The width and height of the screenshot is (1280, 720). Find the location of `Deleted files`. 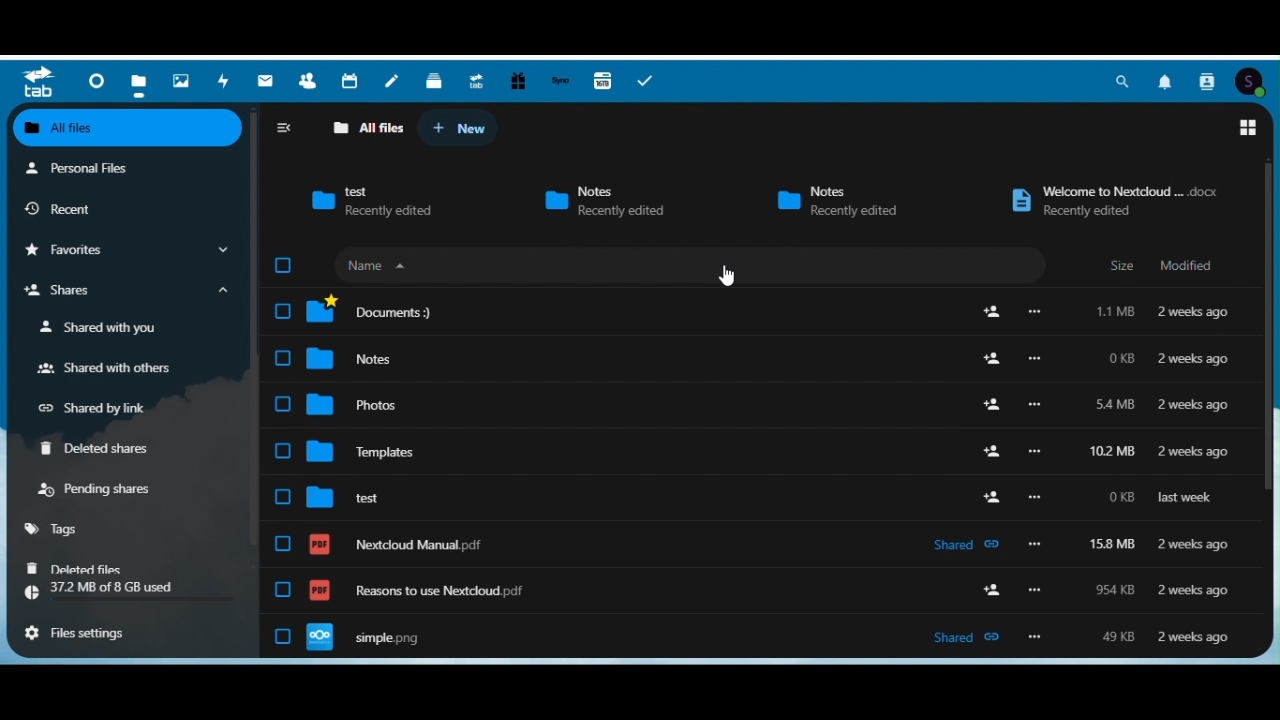

Deleted files is located at coordinates (75, 568).